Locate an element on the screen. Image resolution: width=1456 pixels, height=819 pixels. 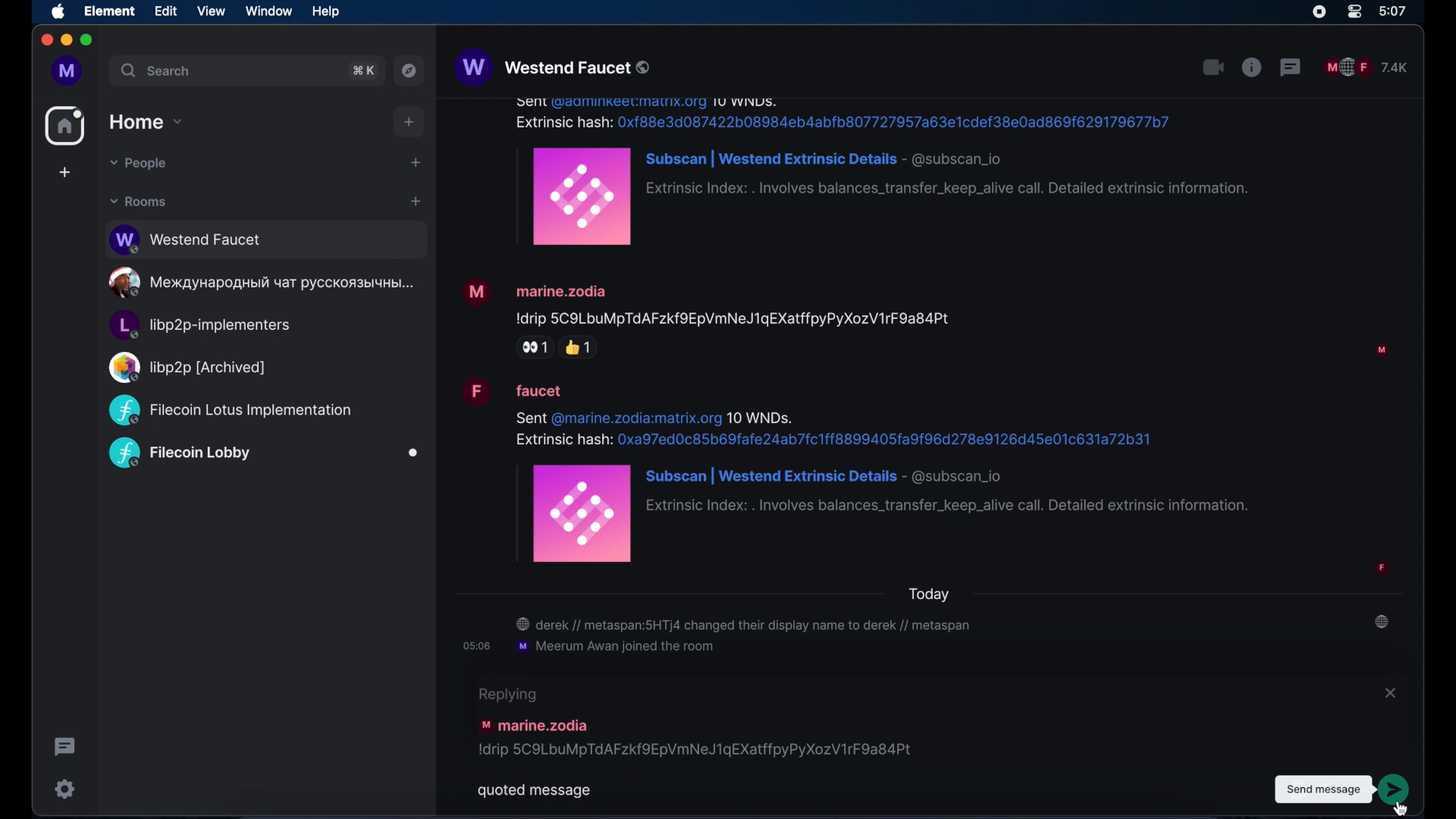
video call is located at coordinates (1213, 67).